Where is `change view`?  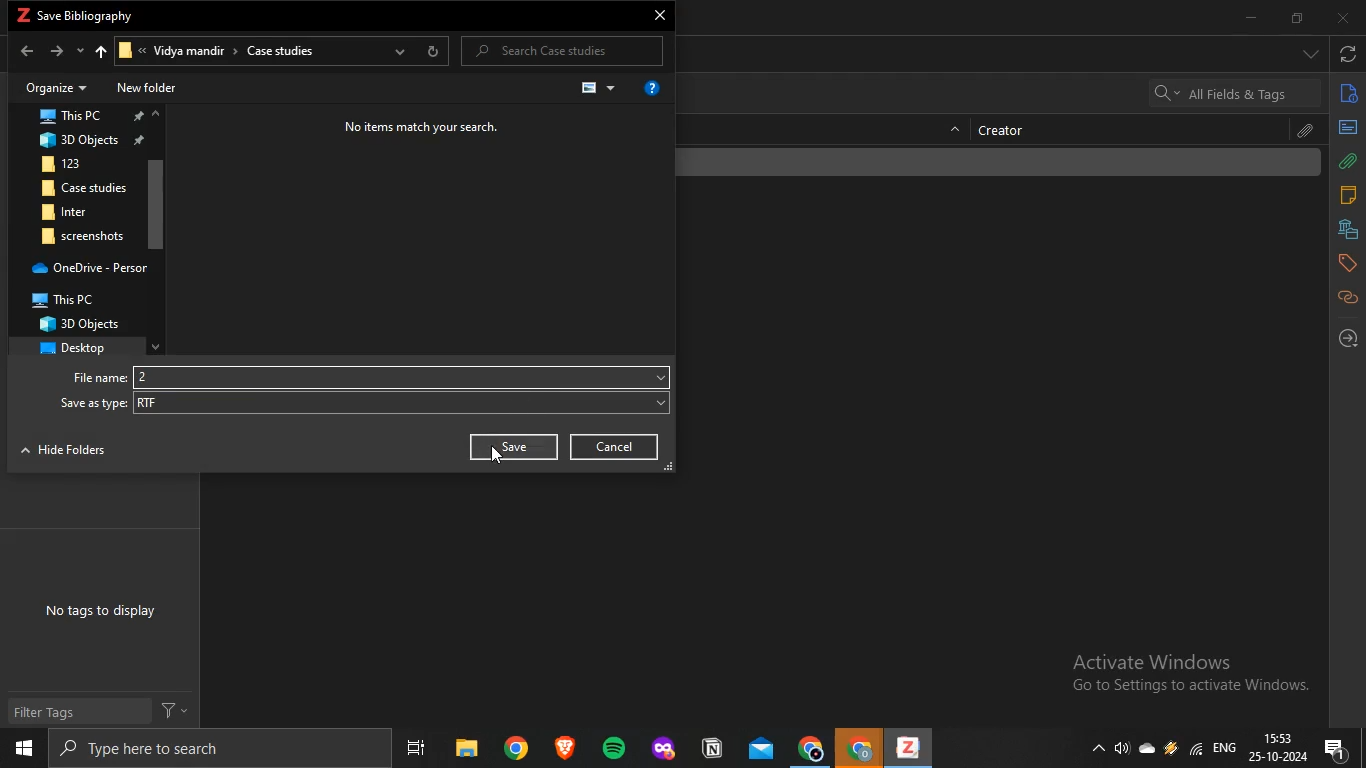
change view is located at coordinates (602, 89).